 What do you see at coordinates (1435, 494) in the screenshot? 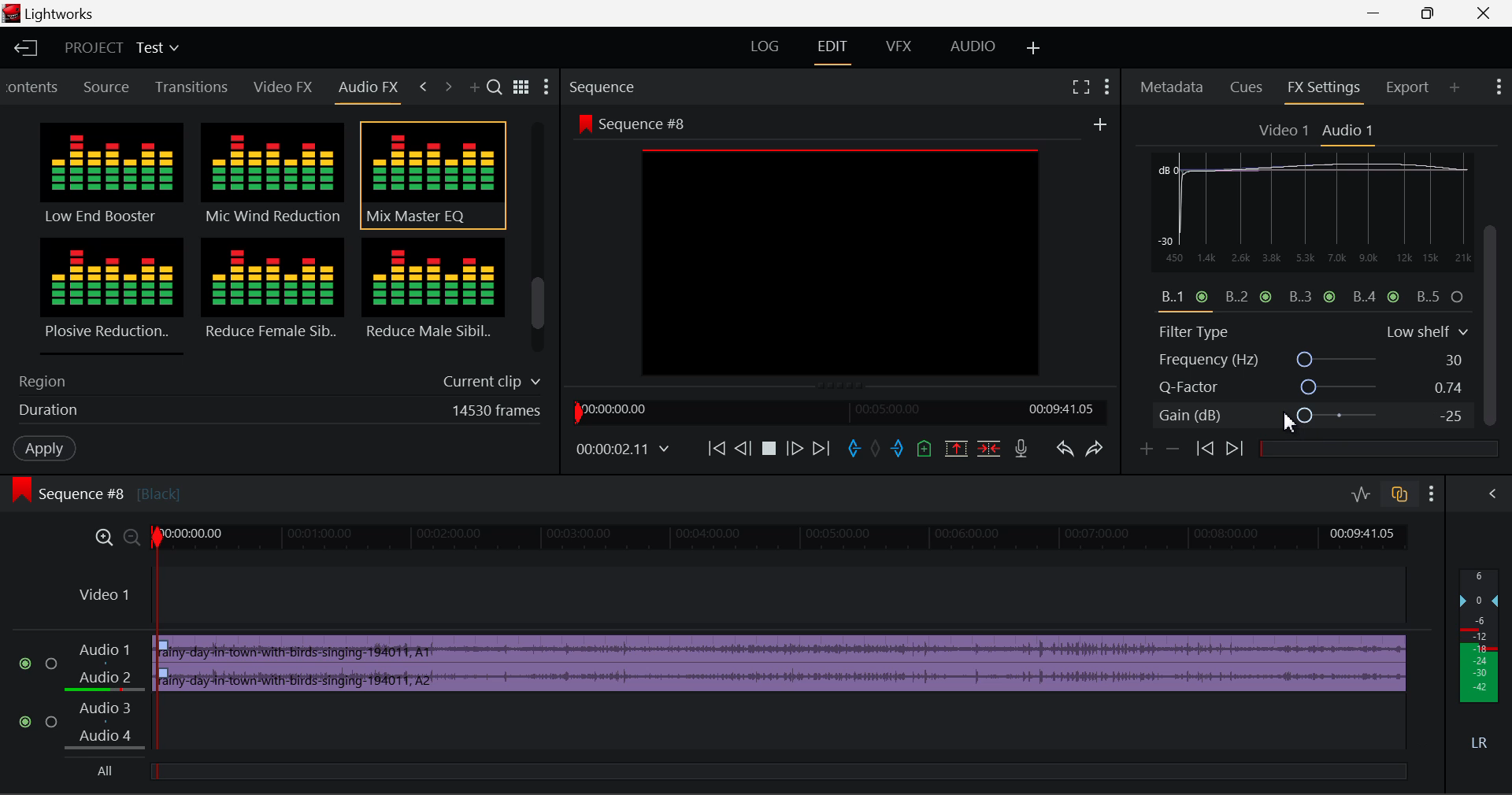
I see `Show Settings` at bounding box center [1435, 494].